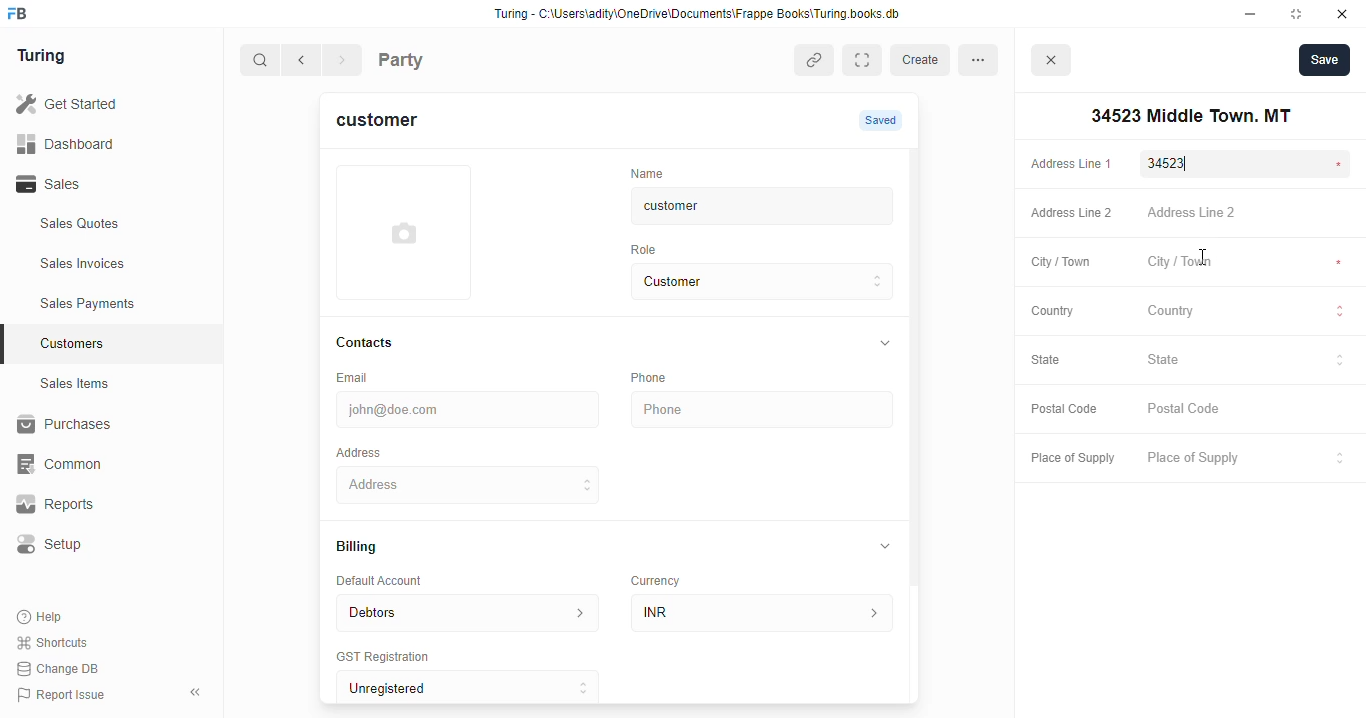 This screenshot has width=1366, height=718. What do you see at coordinates (1247, 360) in the screenshot?
I see `State` at bounding box center [1247, 360].